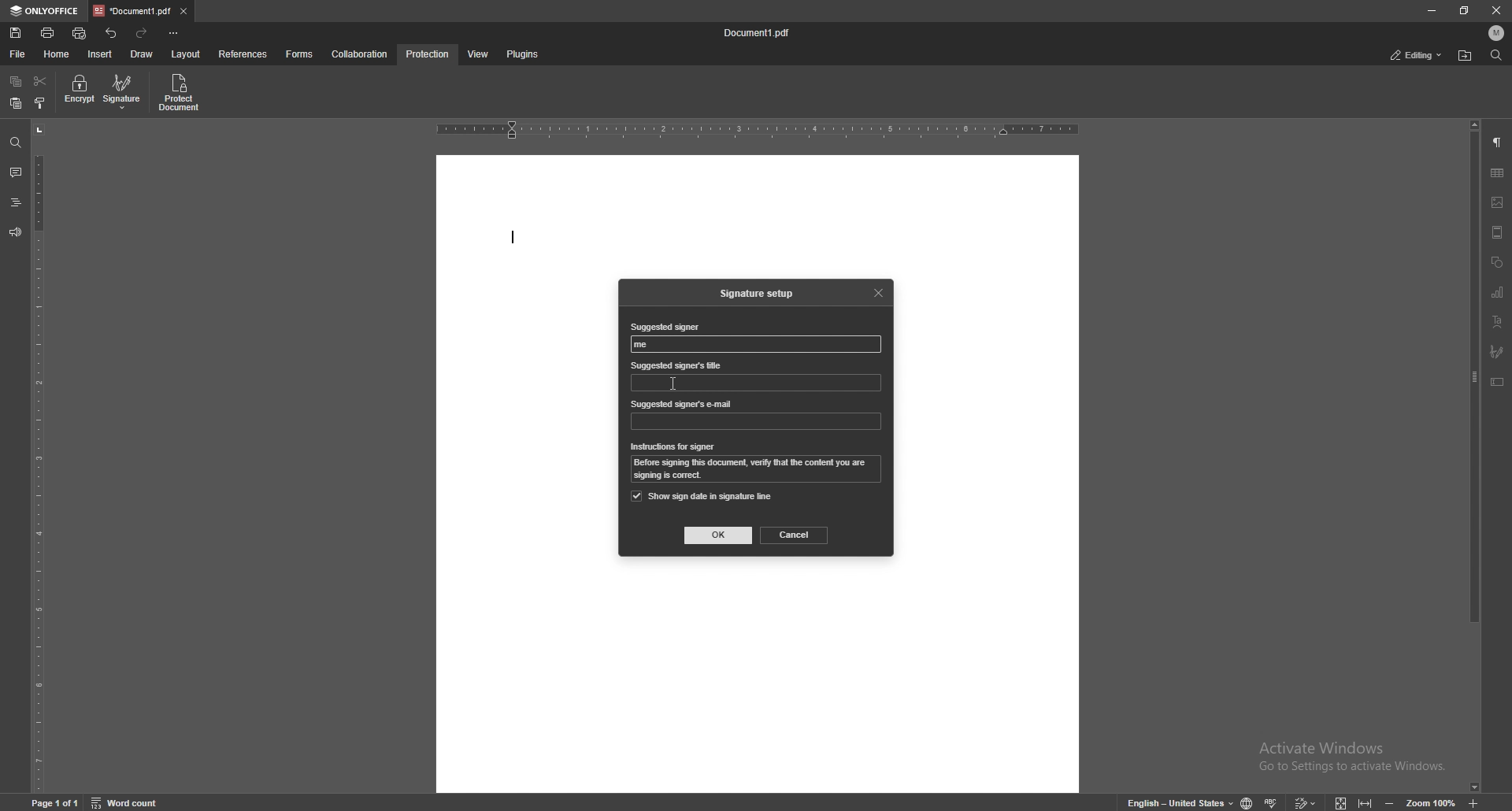 This screenshot has width=1512, height=811. I want to click on chart, so click(1498, 293).